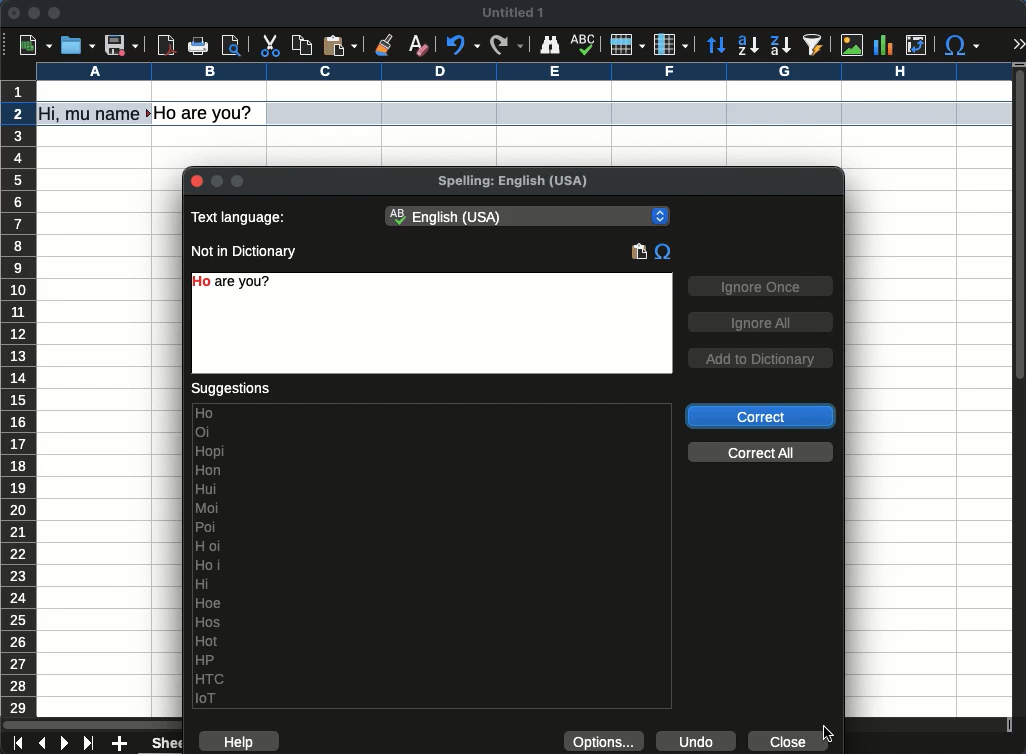 Image resolution: width=1026 pixels, height=754 pixels. I want to click on Hon, so click(211, 470).